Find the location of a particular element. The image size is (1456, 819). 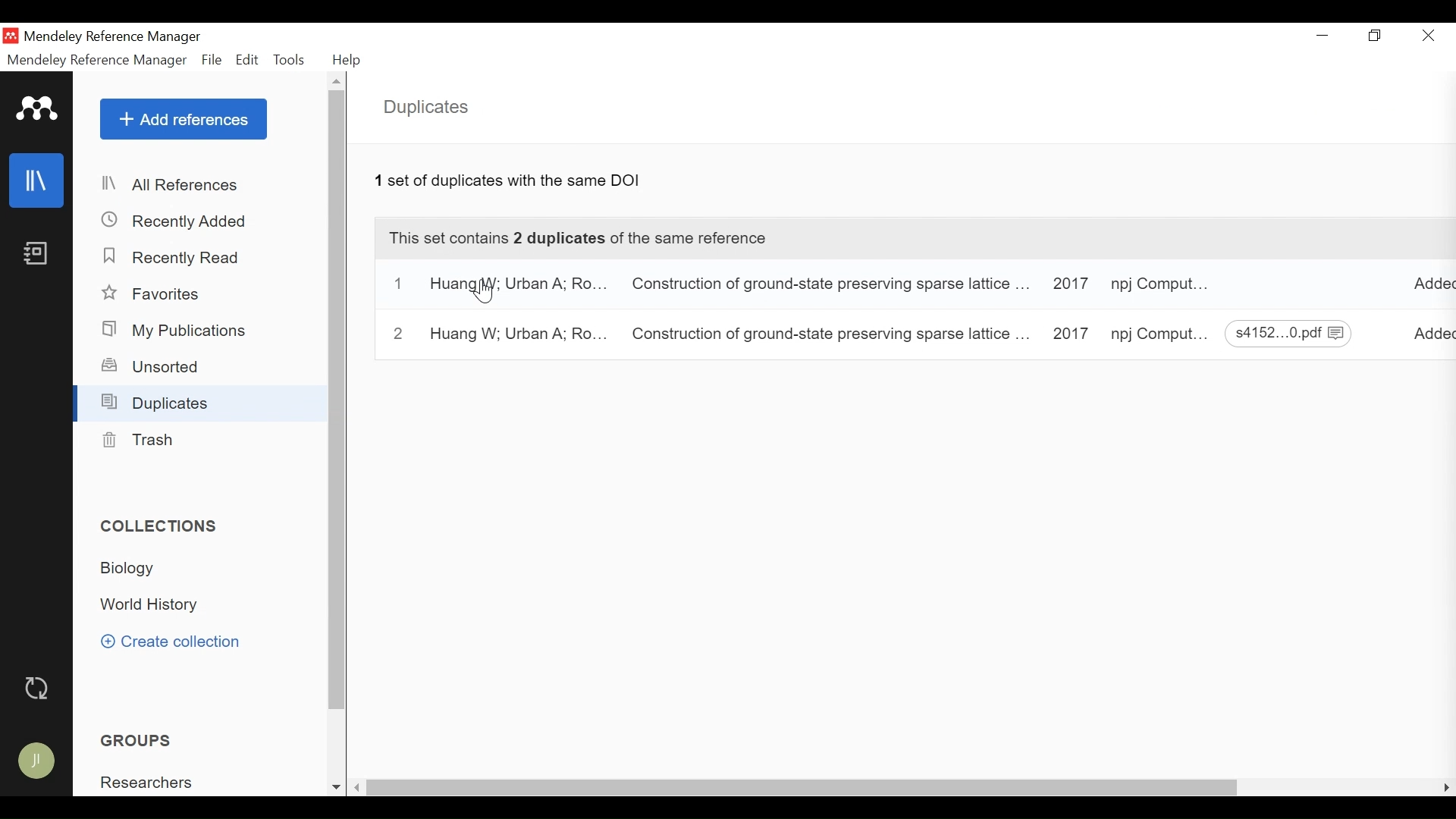

Scroll Left is located at coordinates (356, 789).